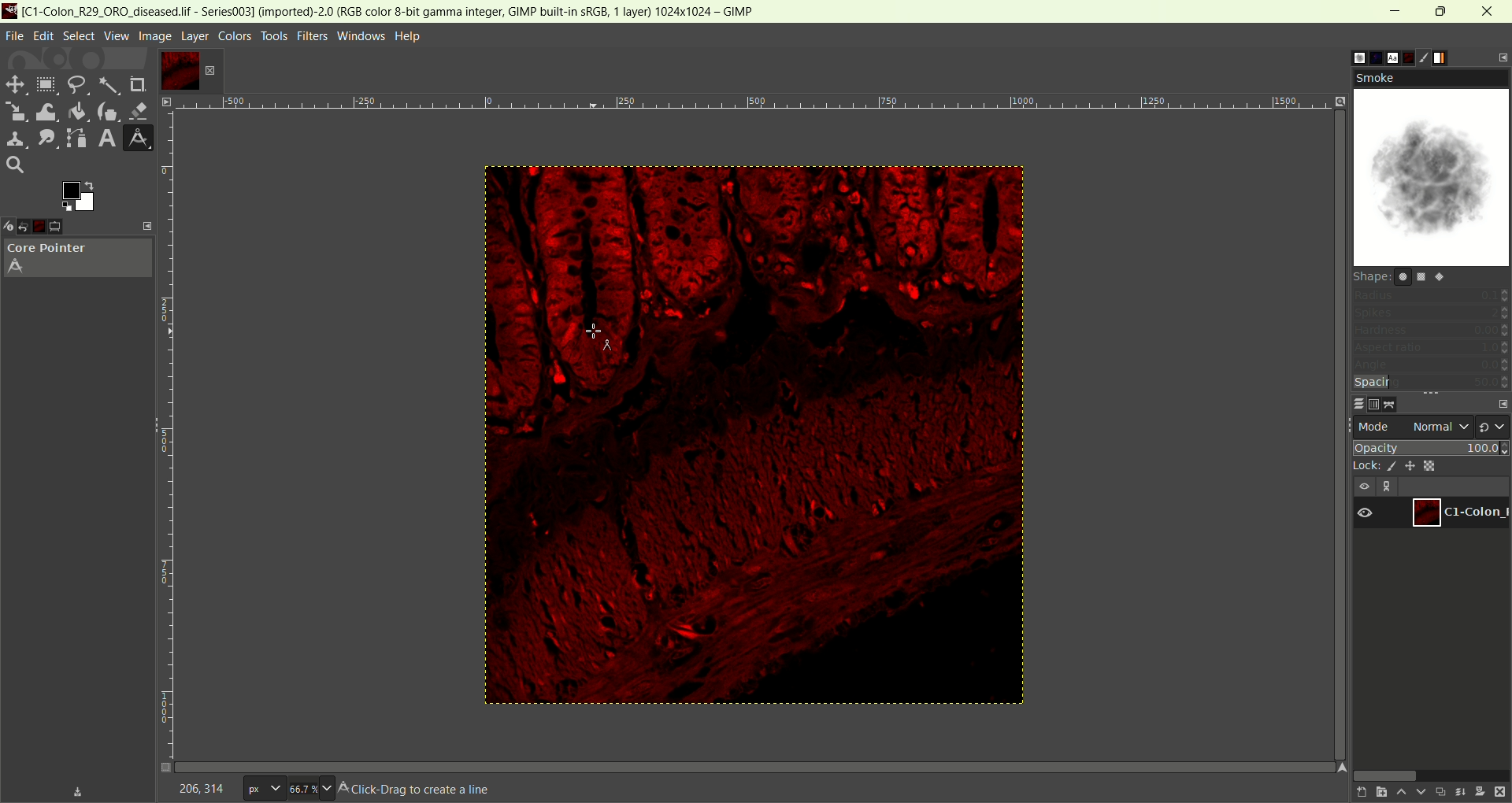  Describe the element at coordinates (15, 37) in the screenshot. I see `file` at that location.